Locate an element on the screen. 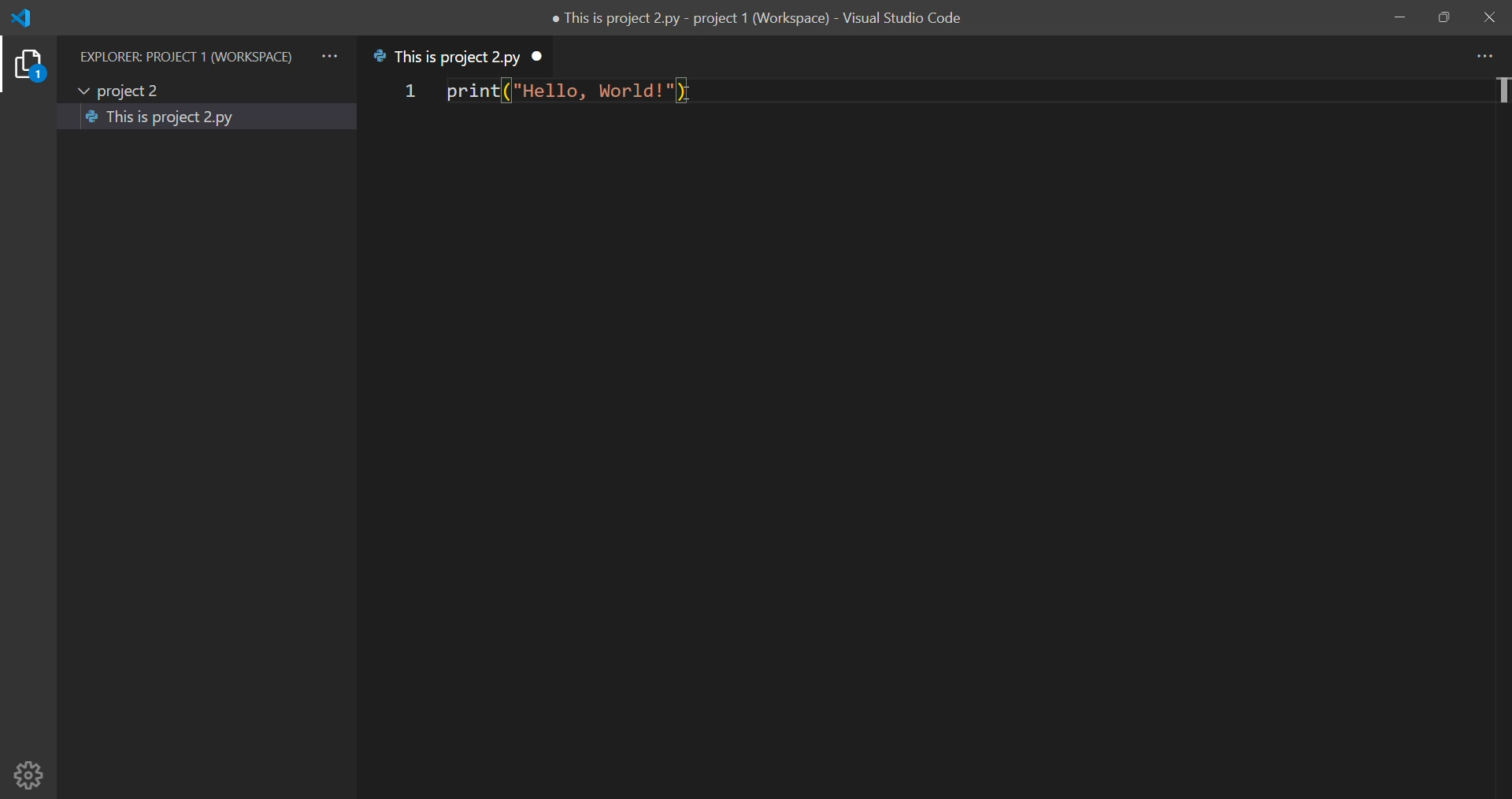 Image resolution: width=1512 pixels, height=799 pixels. more actions is located at coordinates (1489, 55).